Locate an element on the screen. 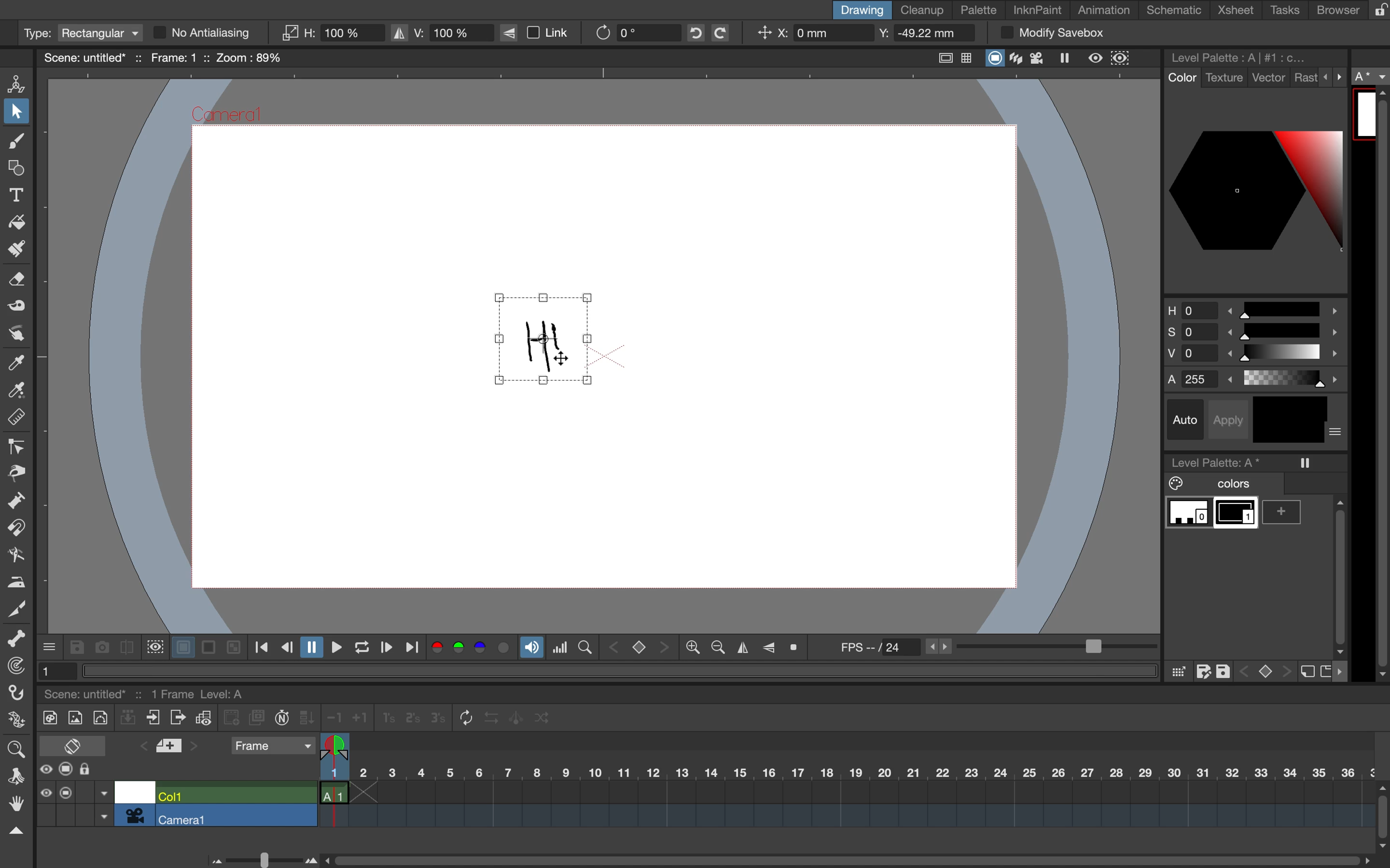  switch between keys is located at coordinates (638, 646).